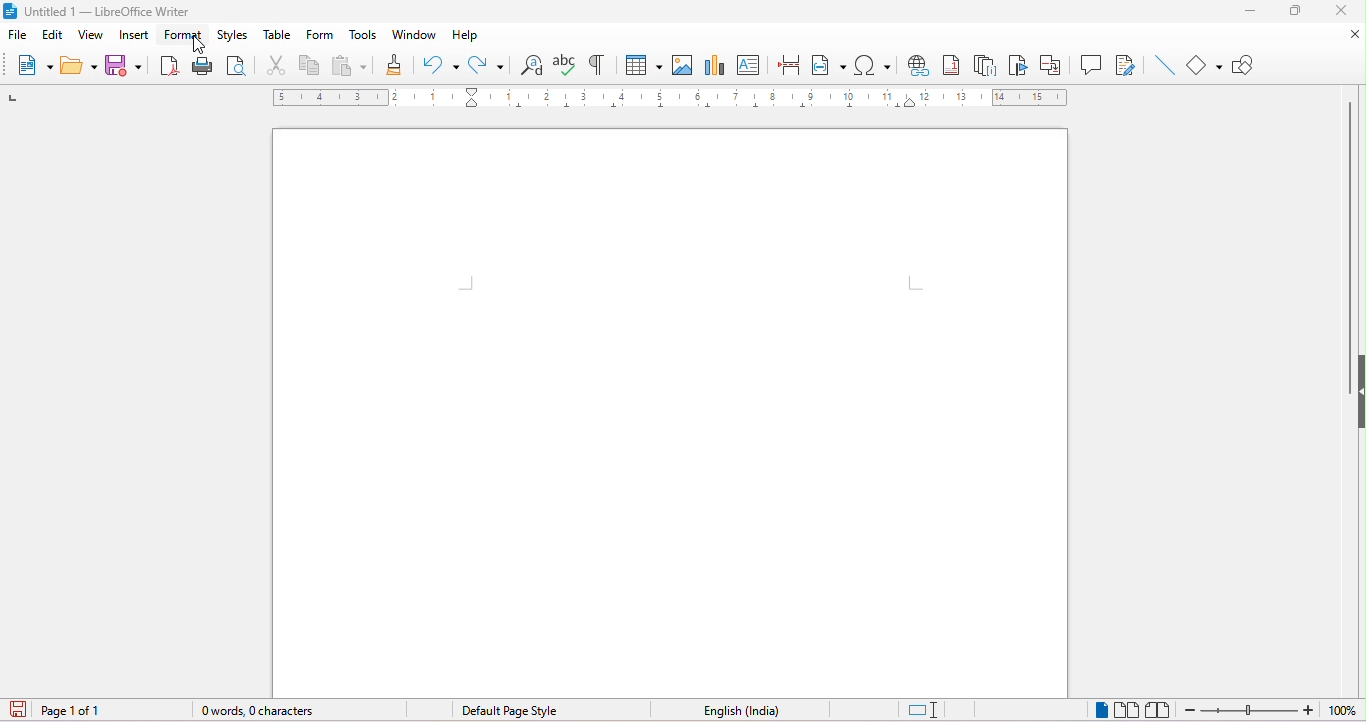  What do you see at coordinates (1346, 11) in the screenshot?
I see `close` at bounding box center [1346, 11].